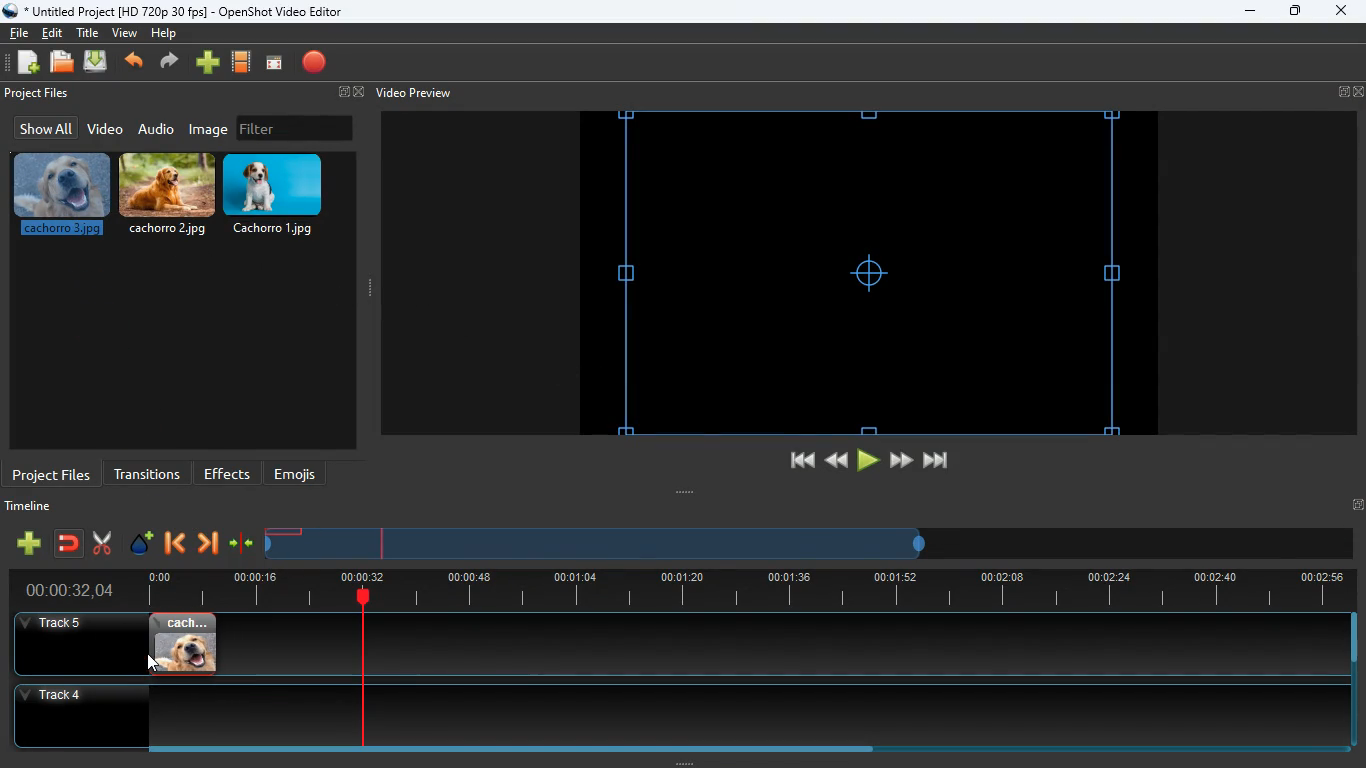 The width and height of the screenshot is (1366, 768). What do you see at coordinates (43, 128) in the screenshot?
I see `show all` at bounding box center [43, 128].